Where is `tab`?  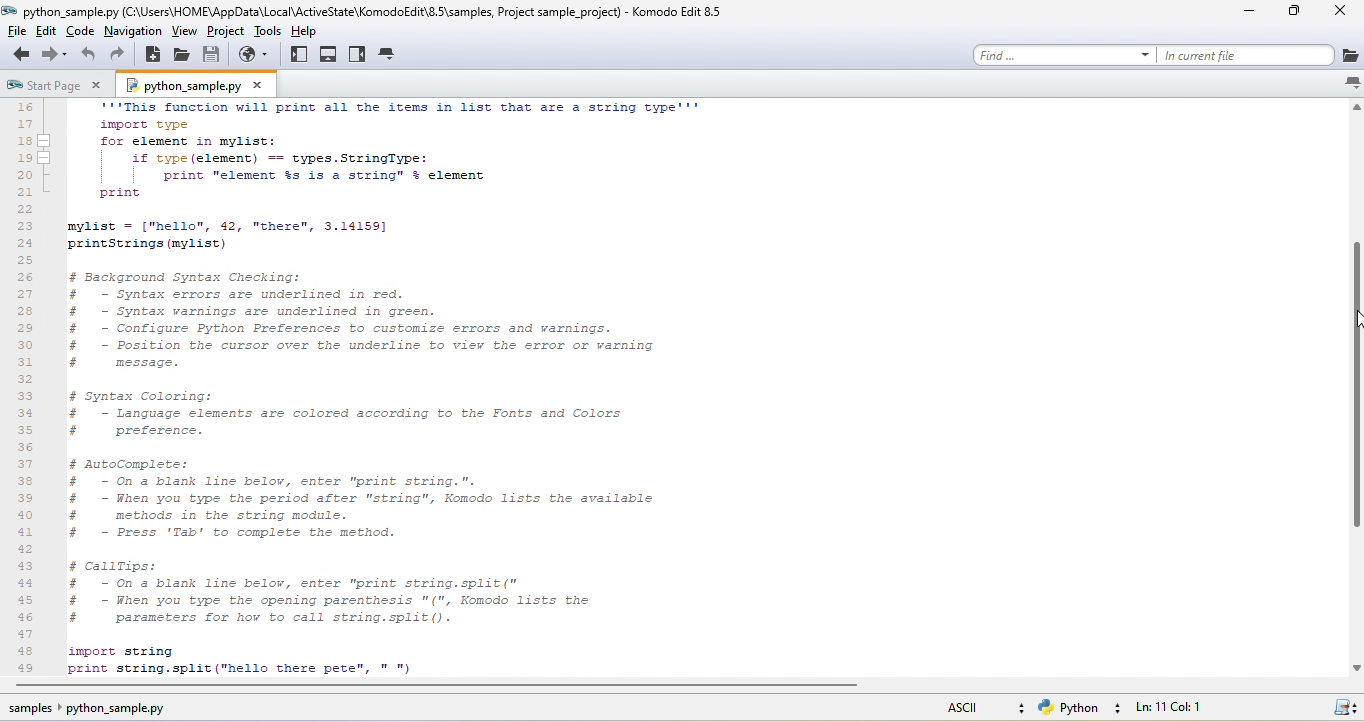
tab is located at coordinates (389, 55).